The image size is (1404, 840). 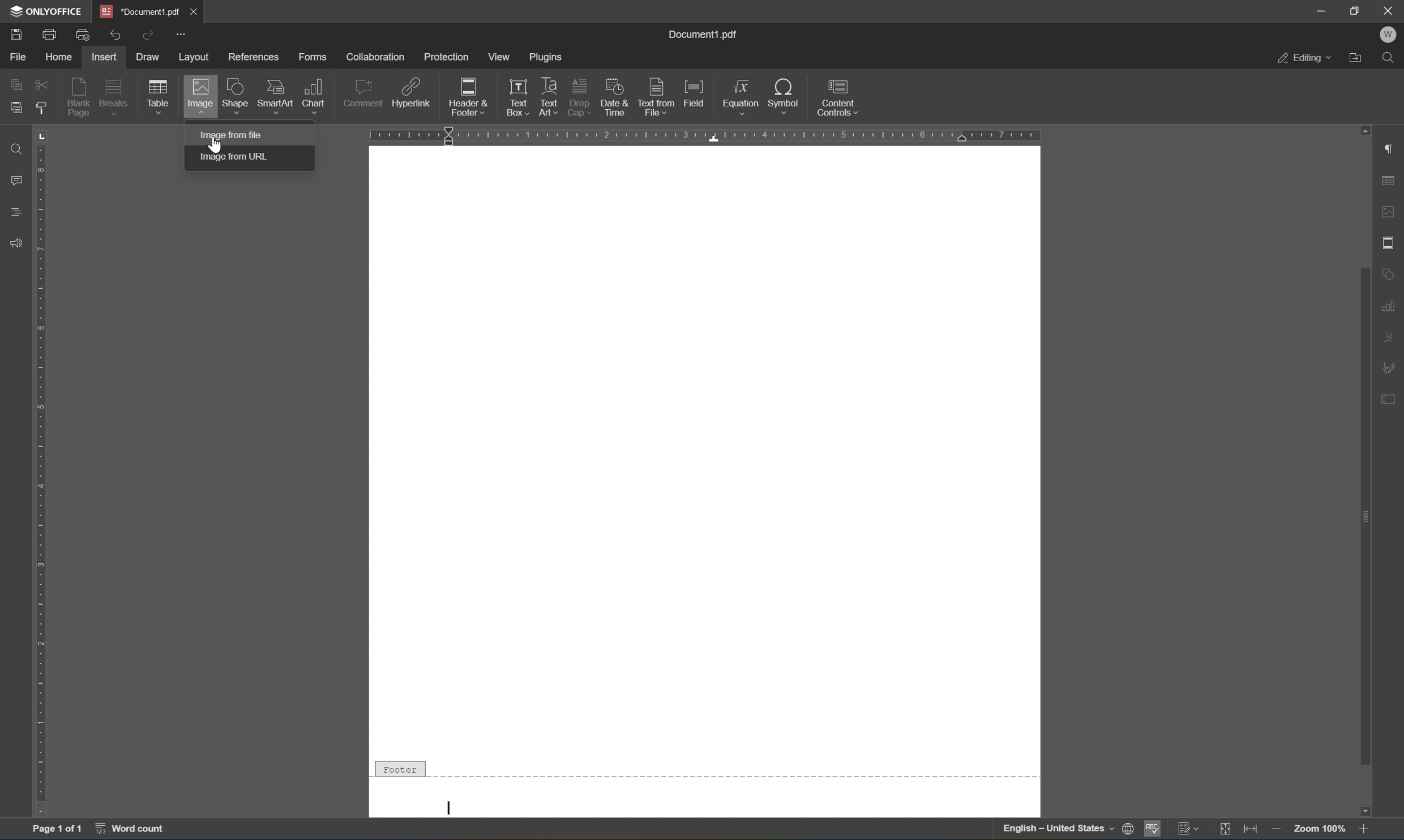 I want to click on scroll bar, so click(x=1361, y=380).